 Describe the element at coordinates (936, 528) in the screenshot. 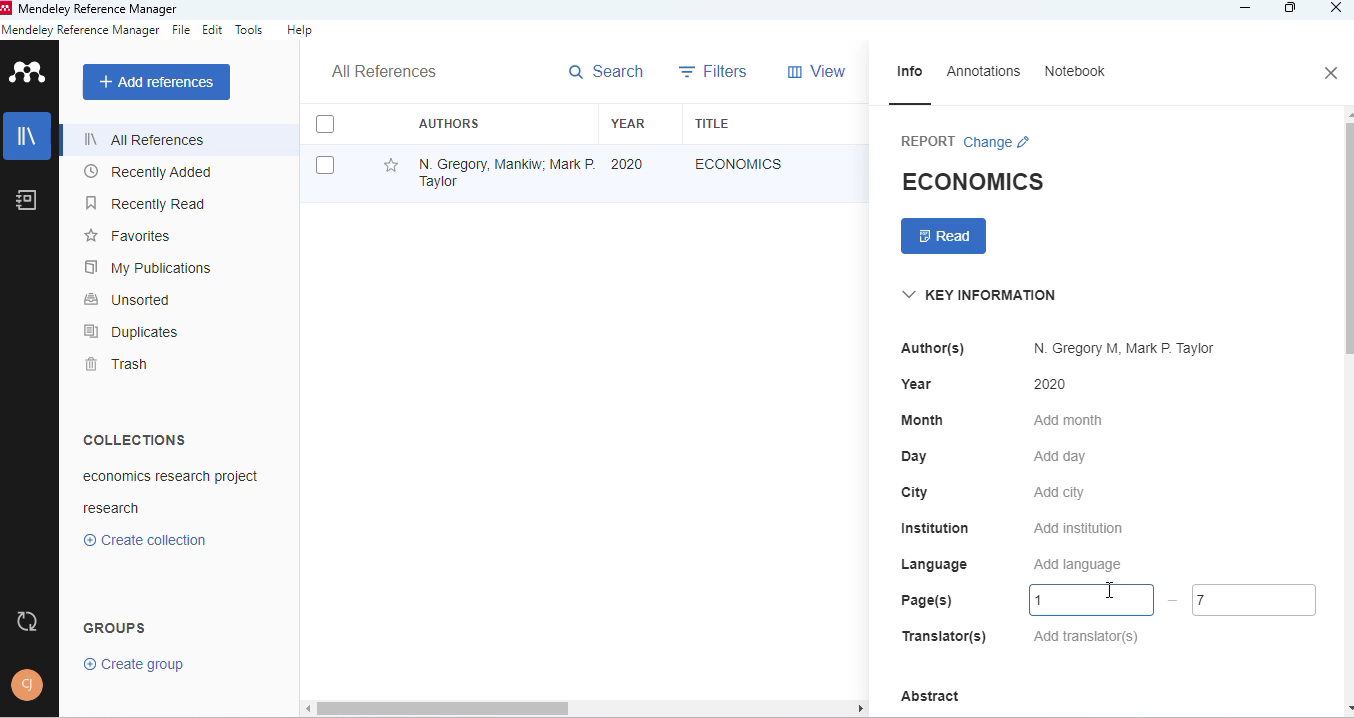

I see `institution` at that location.